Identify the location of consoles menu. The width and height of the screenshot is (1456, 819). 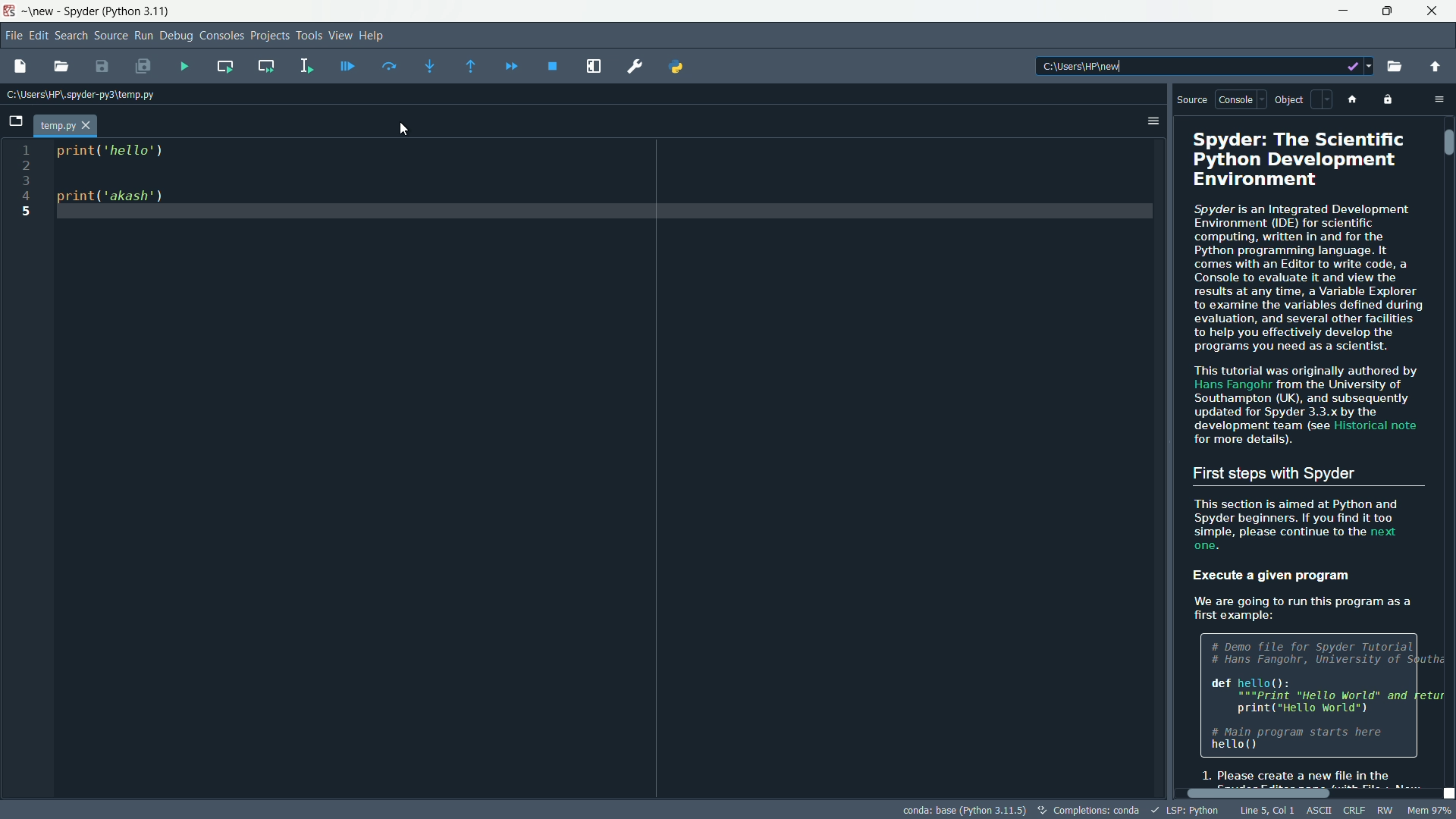
(221, 36).